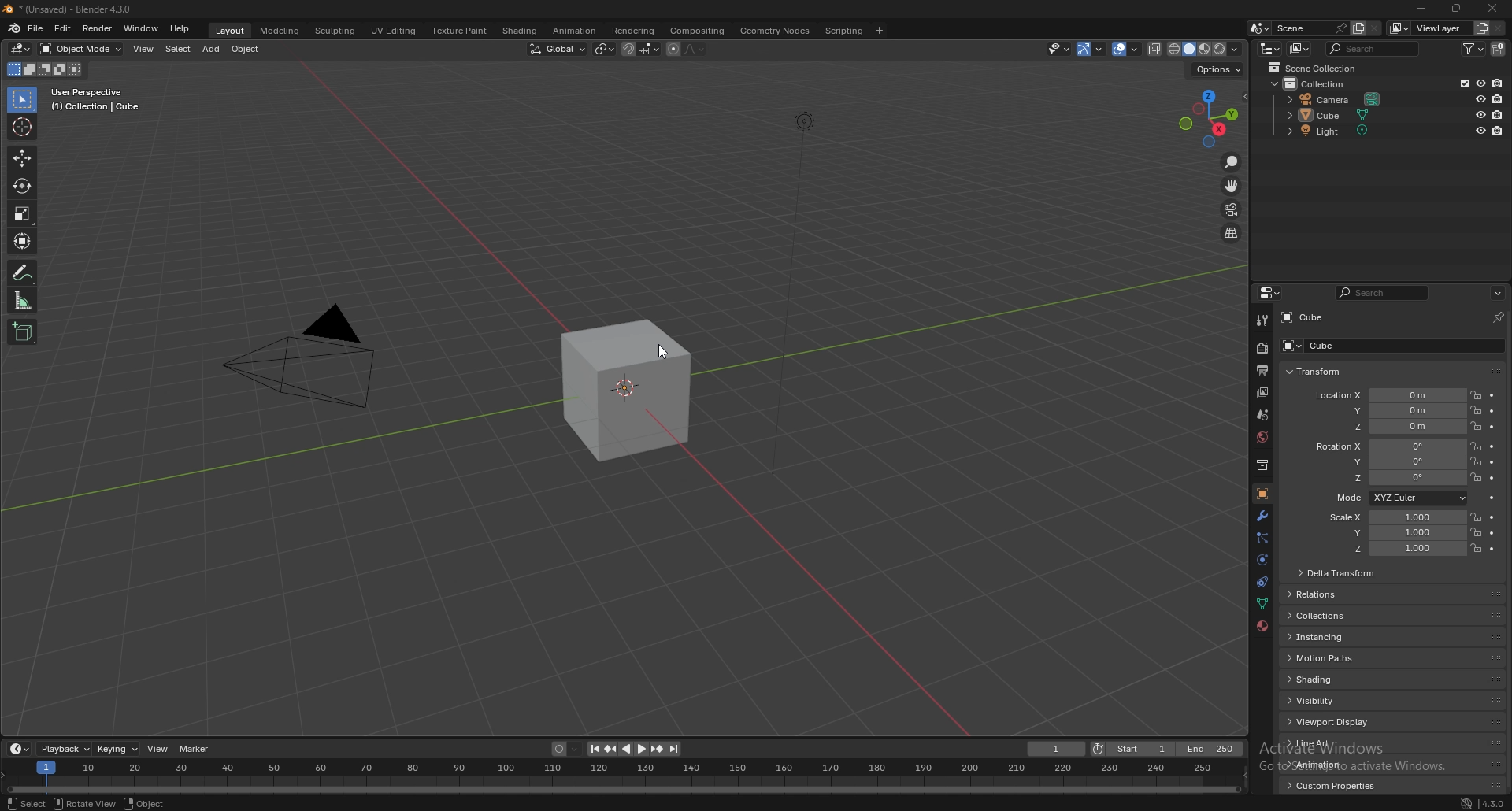 The image size is (1512, 811). Describe the element at coordinates (1492, 396) in the screenshot. I see `animate property` at that location.